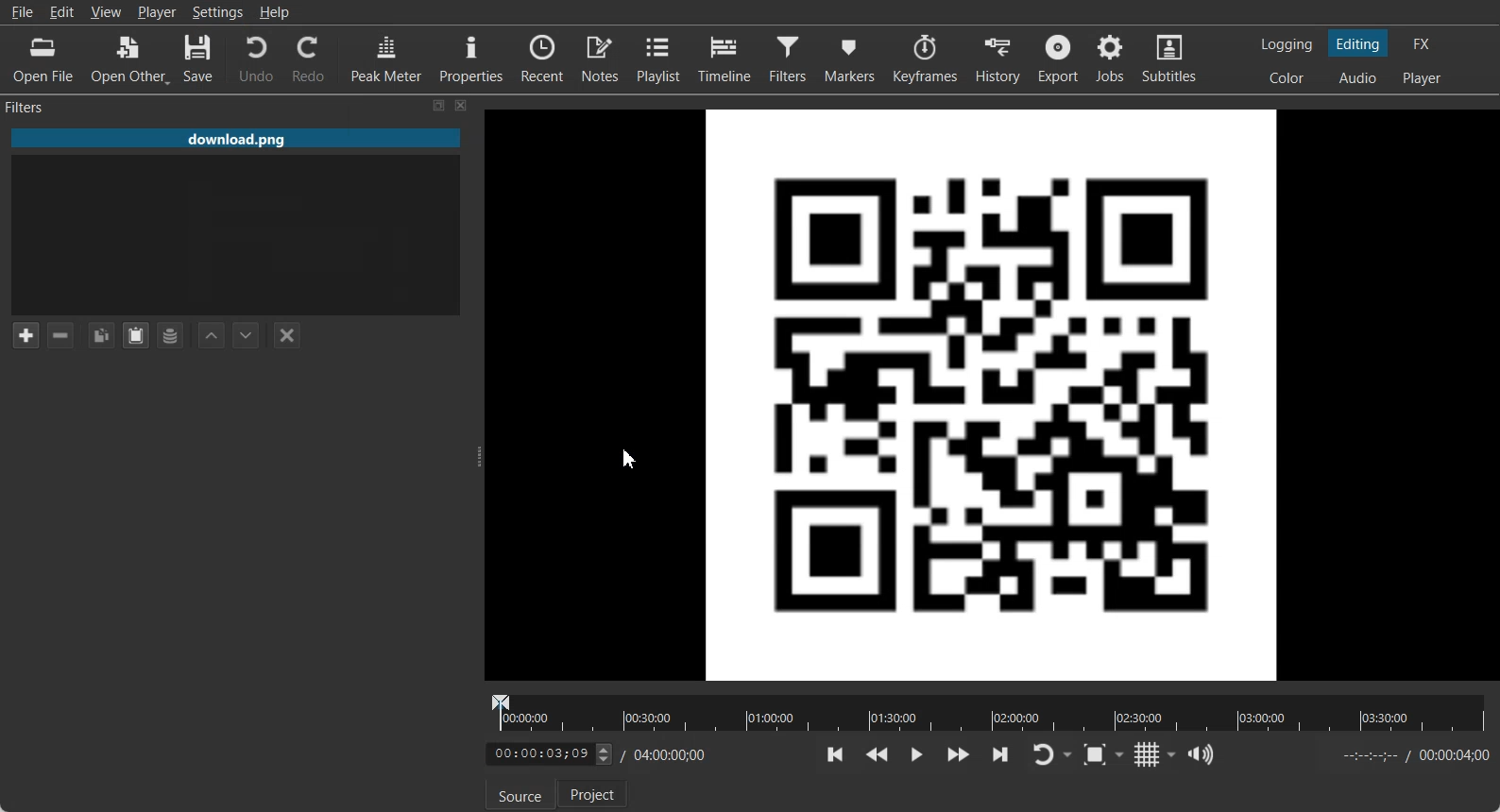 Image resolution: width=1500 pixels, height=812 pixels. What do you see at coordinates (542, 56) in the screenshot?
I see `Recent` at bounding box center [542, 56].